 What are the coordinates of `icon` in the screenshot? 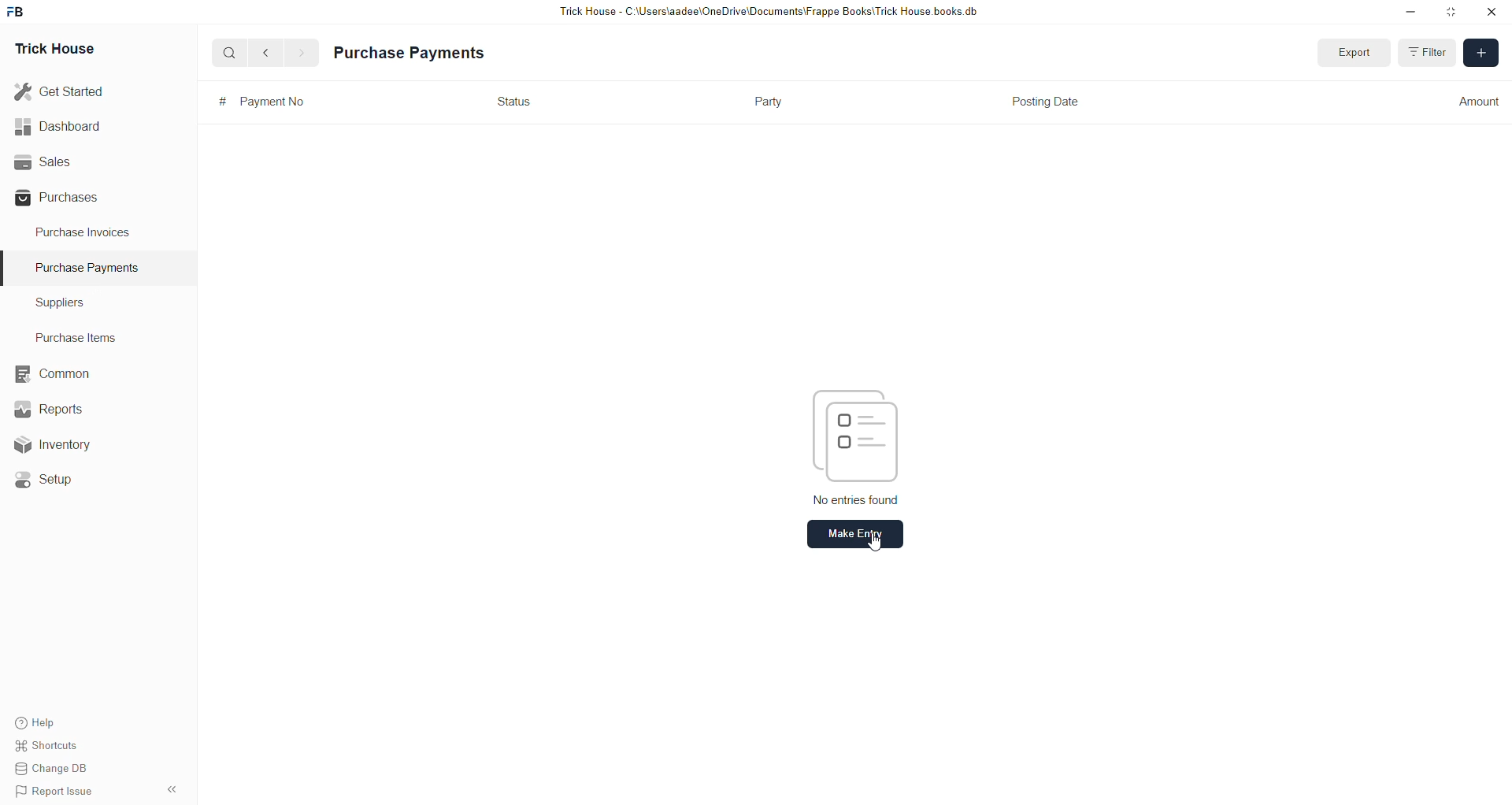 It's located at (855, 429).